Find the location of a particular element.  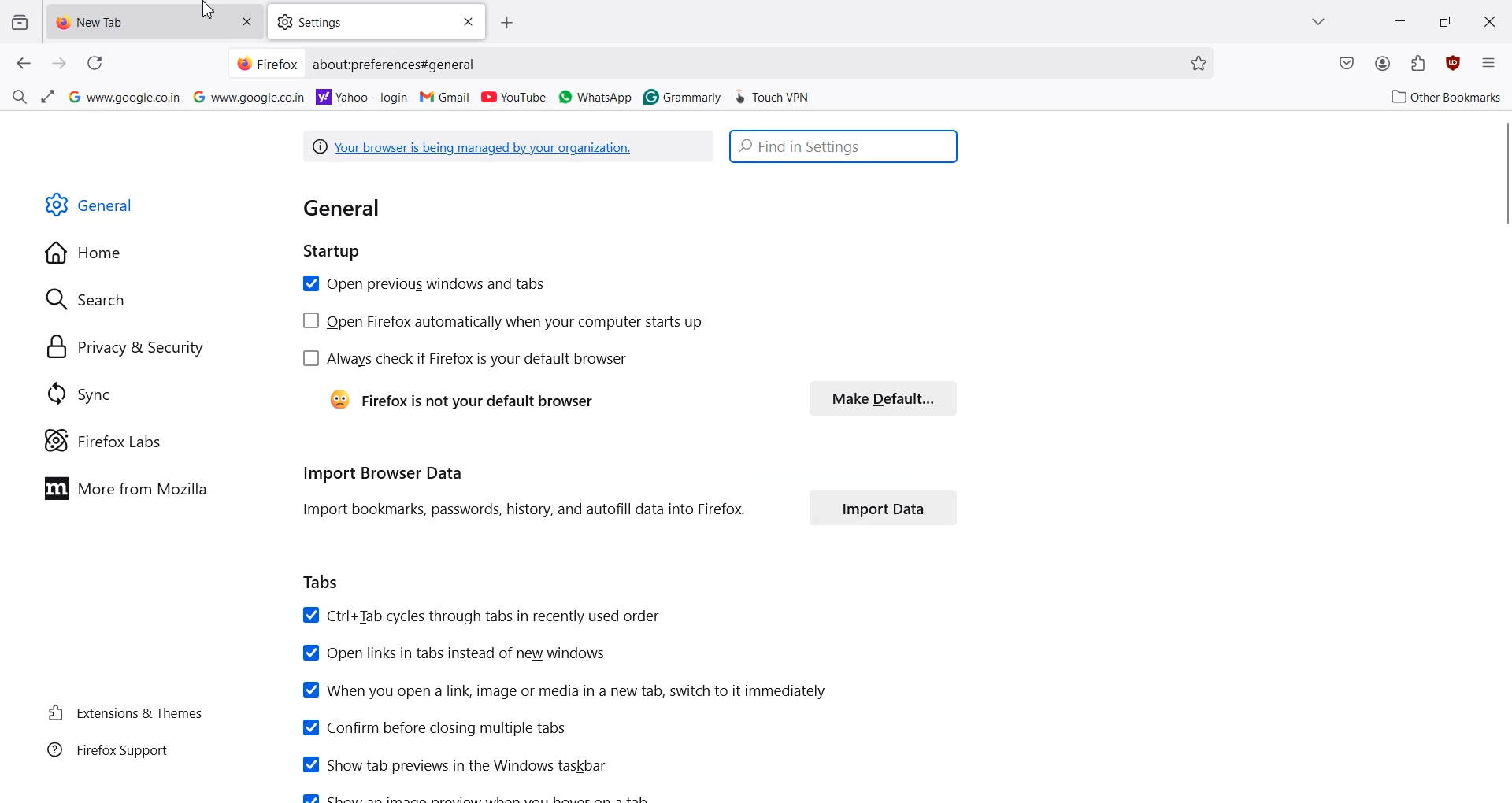

Firefox Labs is located at coordinates (106, 440).